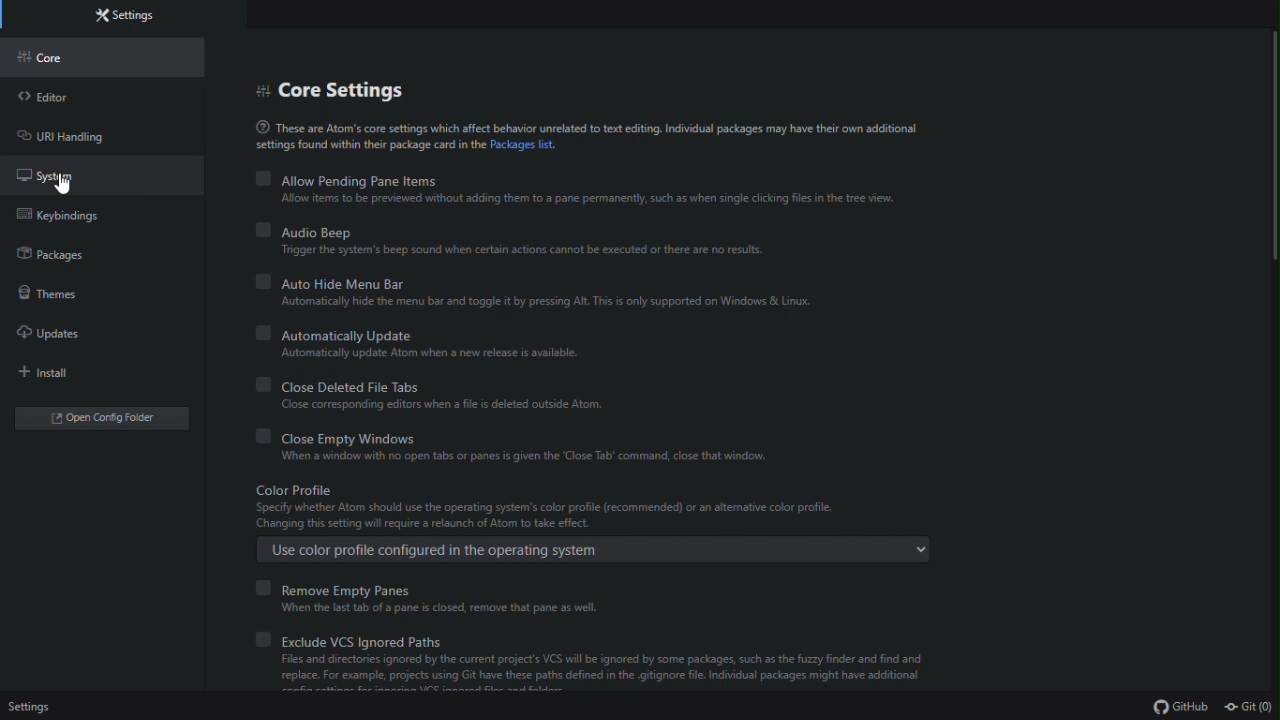  What do you see at coordinates (100, 173) in the screenshot?
I see `System` at bounding box center [100, 173].